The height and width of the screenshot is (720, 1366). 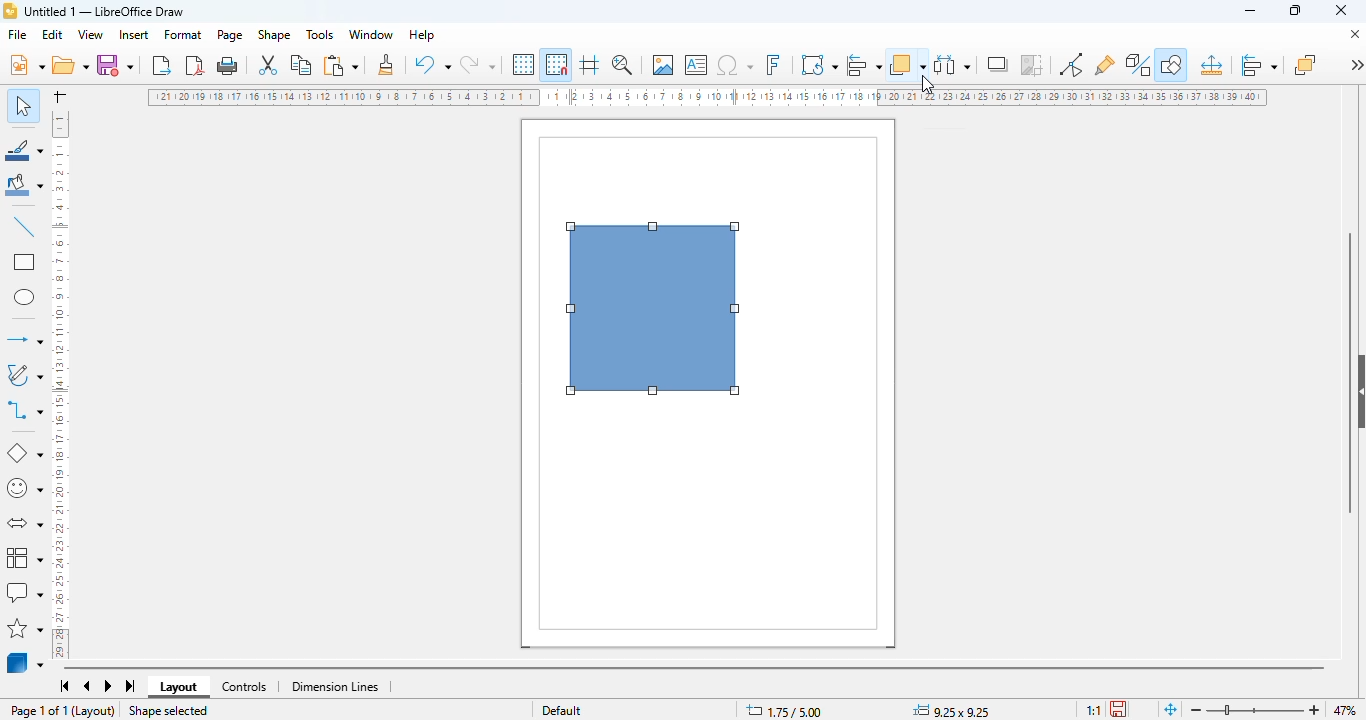 I want to click on format, so click(x=184, y=34).